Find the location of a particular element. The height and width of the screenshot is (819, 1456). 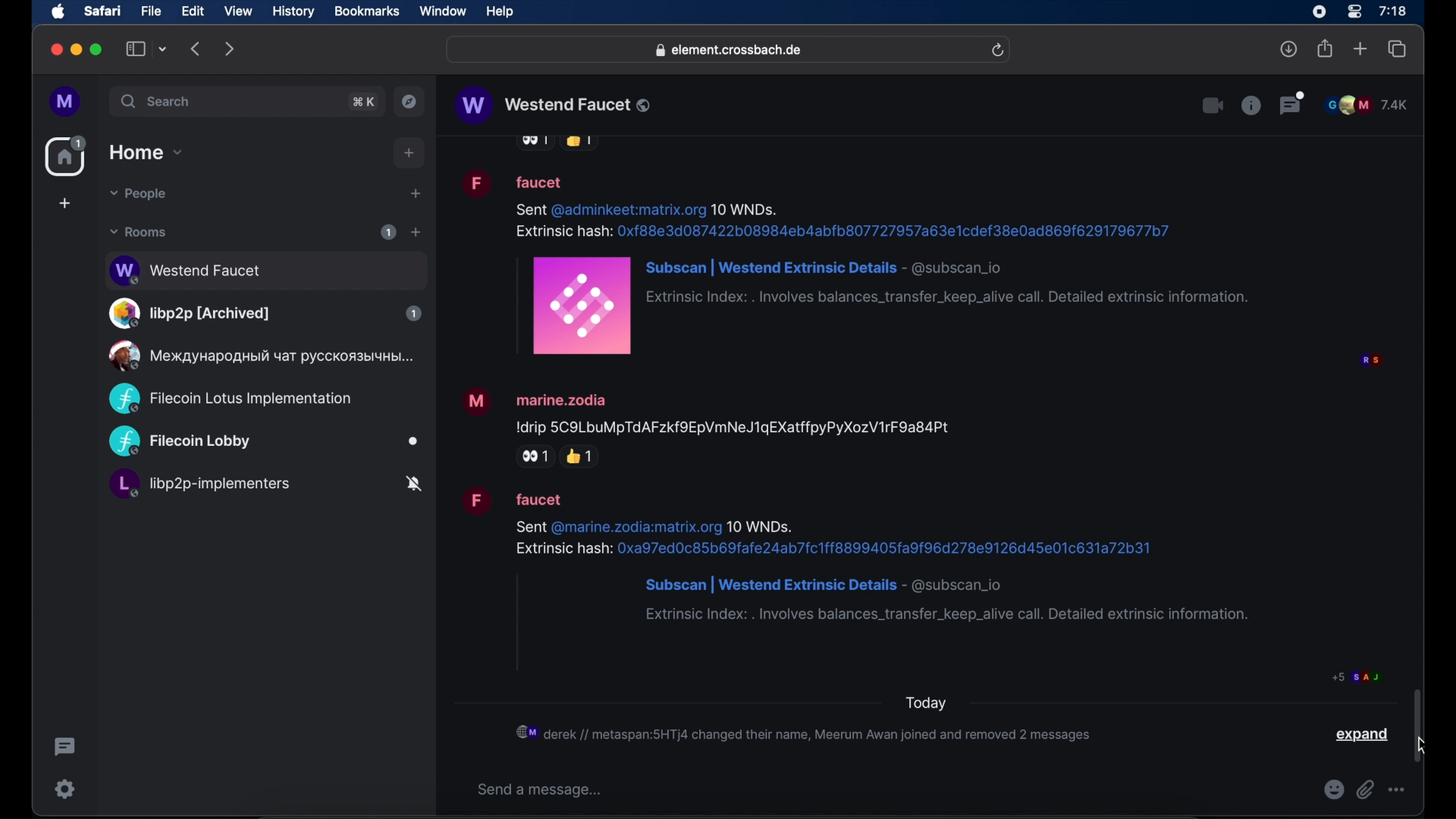

participants is located at coordinates (1366, 105).